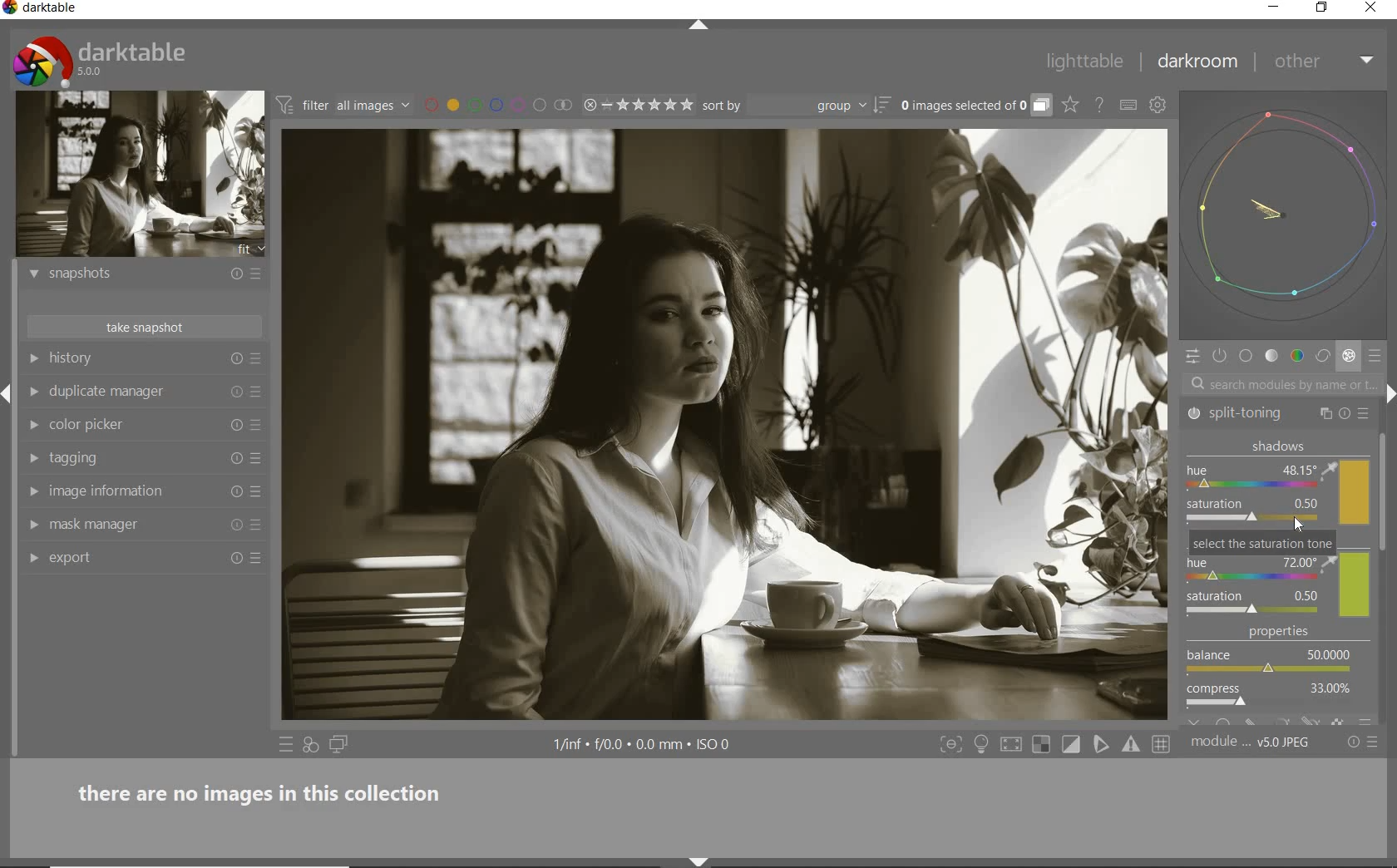 The image size is (1397, 868). Describe the element at coordinates (637, 106) in the screenshot. I see `range rating of selected image` at that location.